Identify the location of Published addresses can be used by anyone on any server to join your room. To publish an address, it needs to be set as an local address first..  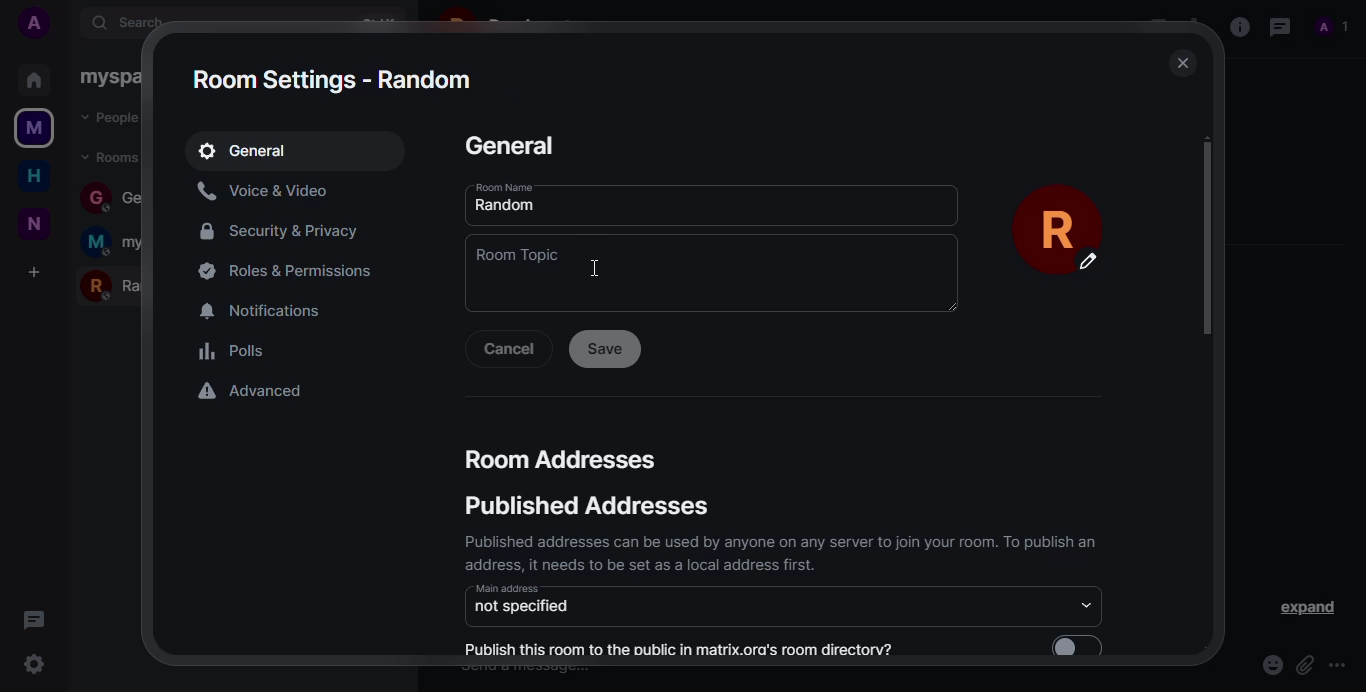
(778, 553).